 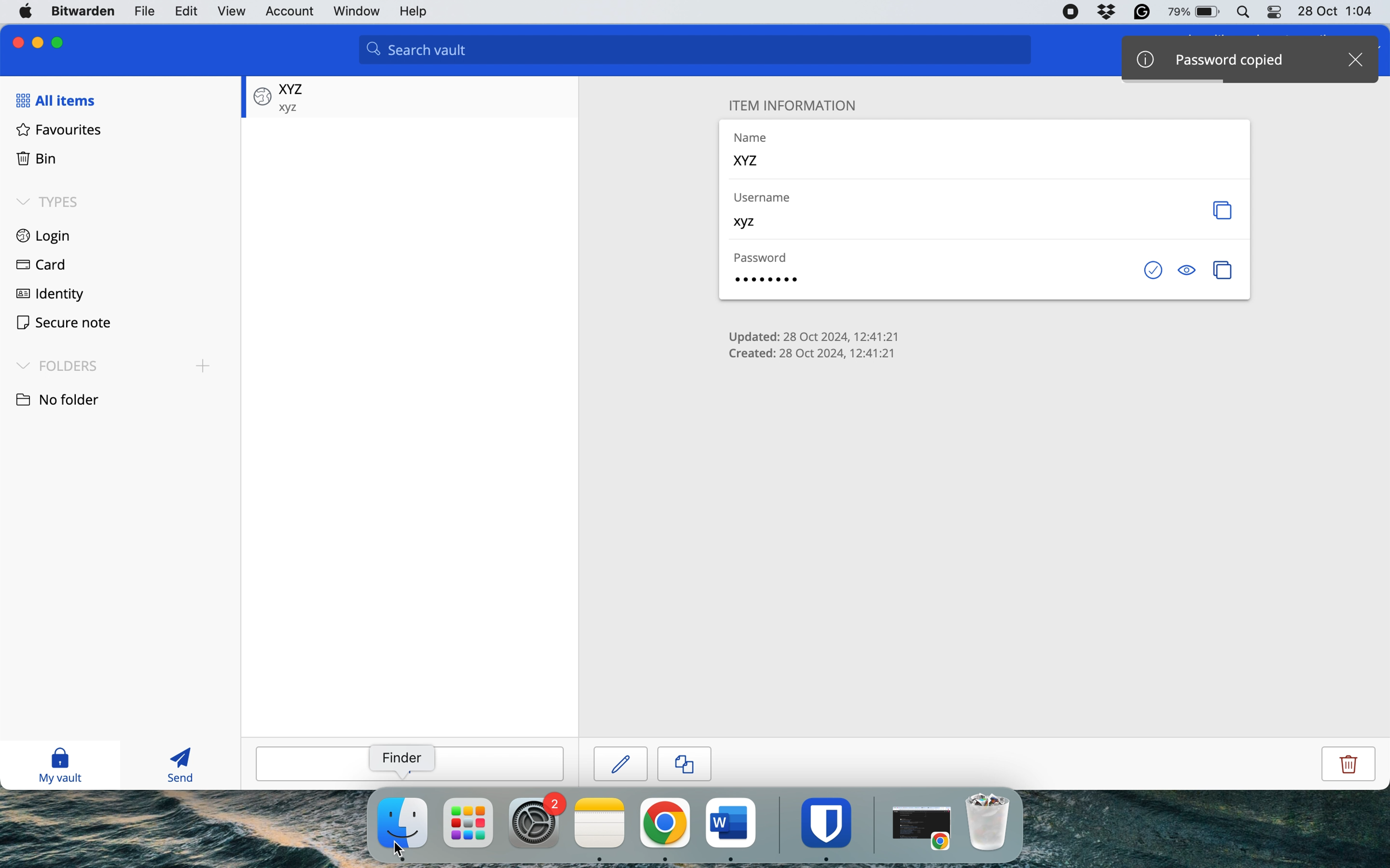 I want to click on file, so click(x=143, y=11).